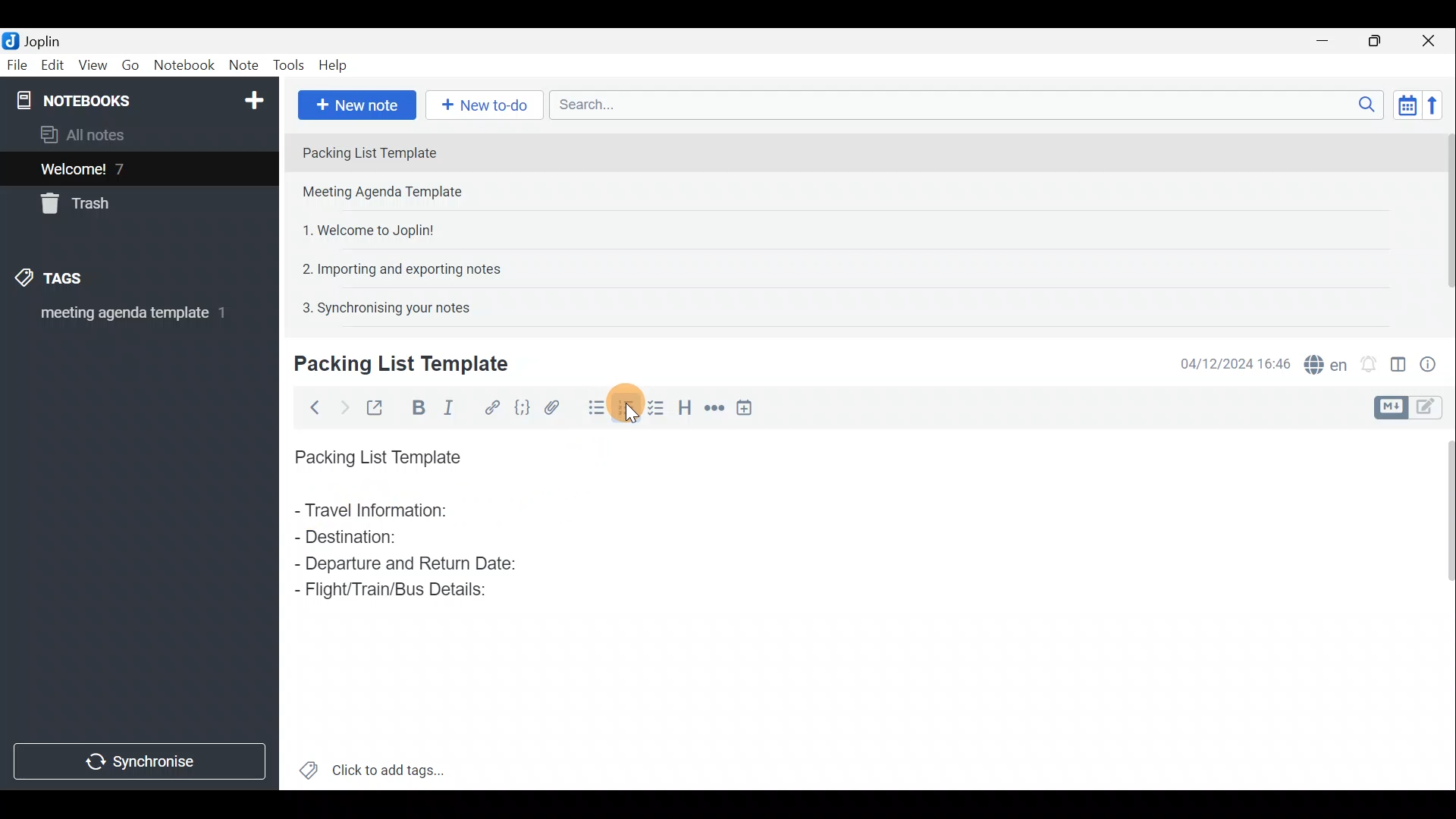  I want to click on Set alarm, so click(1368, 360).